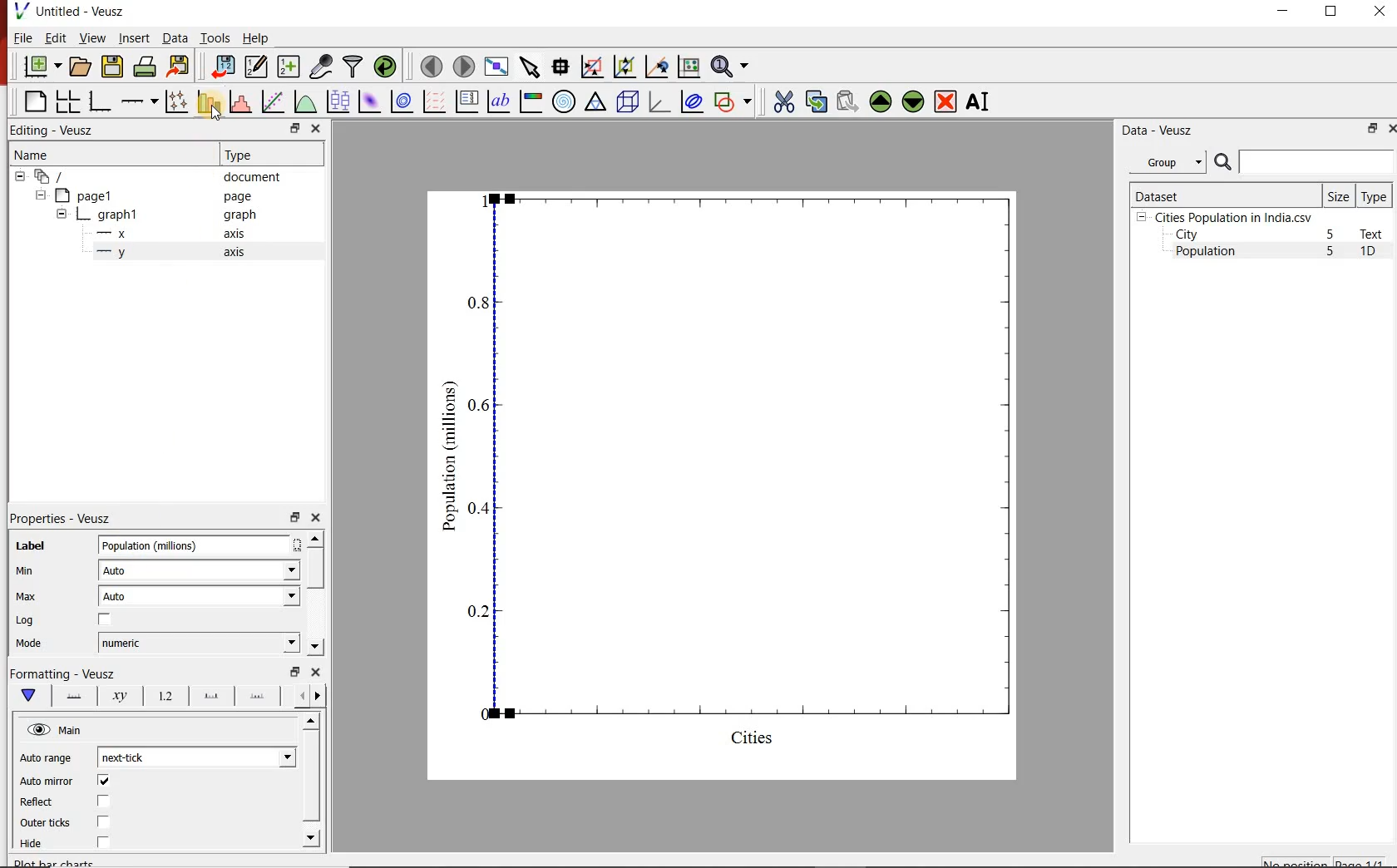  I want to click on close, so click(313, 672).